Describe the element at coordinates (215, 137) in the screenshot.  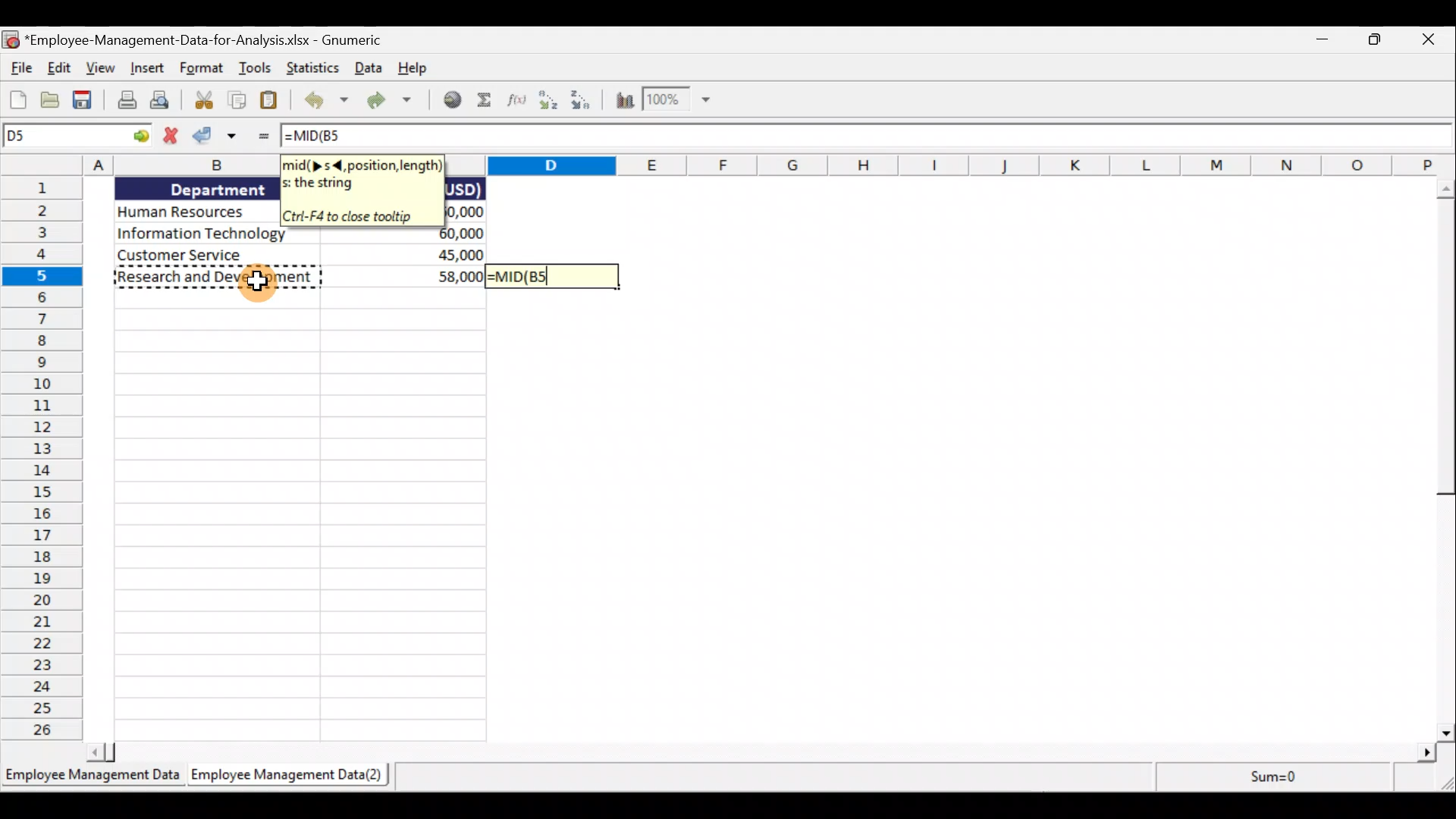
I see `Accept change` at that location.